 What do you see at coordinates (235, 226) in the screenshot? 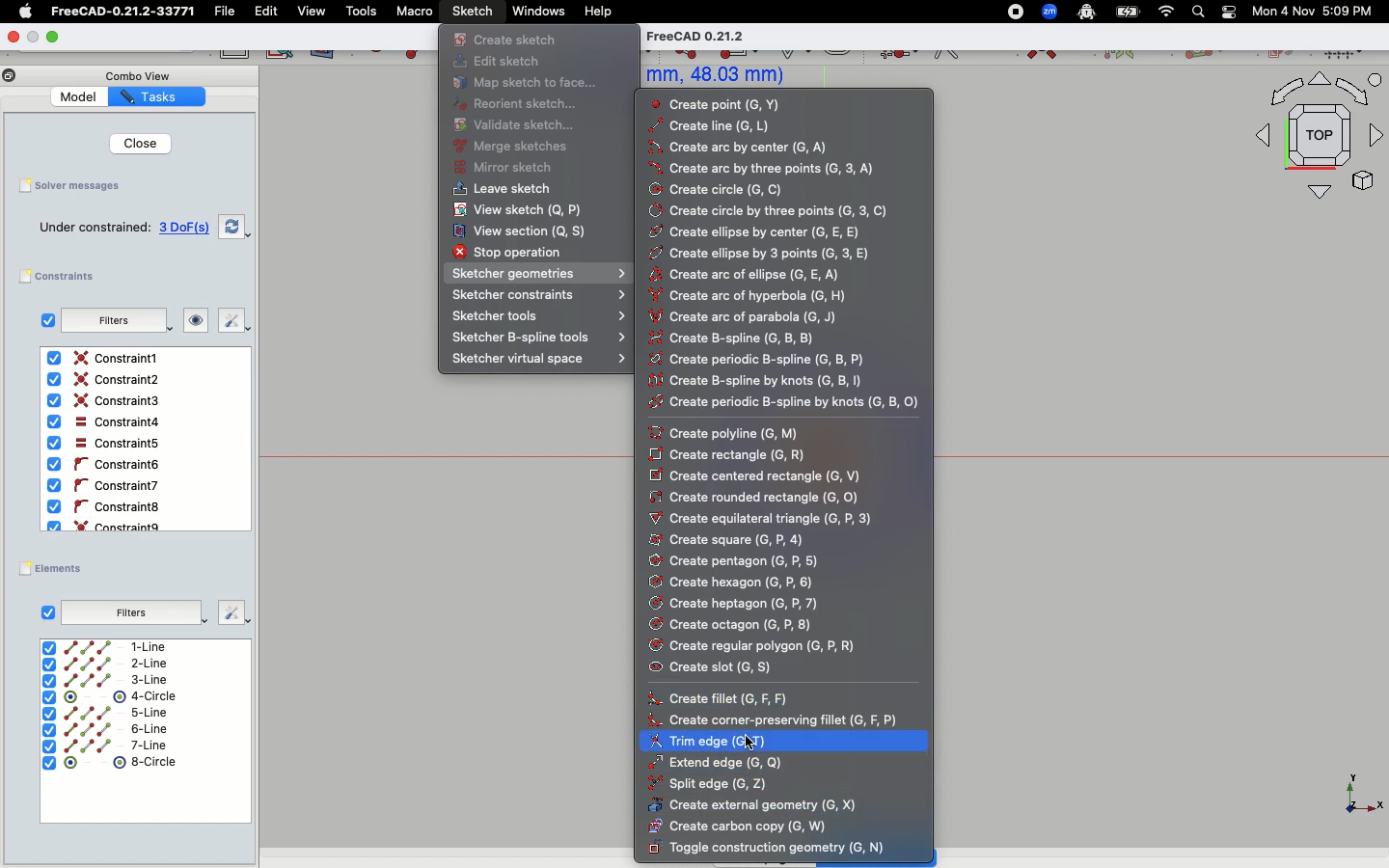
I see `Swap` at bounding box center [235, 226].